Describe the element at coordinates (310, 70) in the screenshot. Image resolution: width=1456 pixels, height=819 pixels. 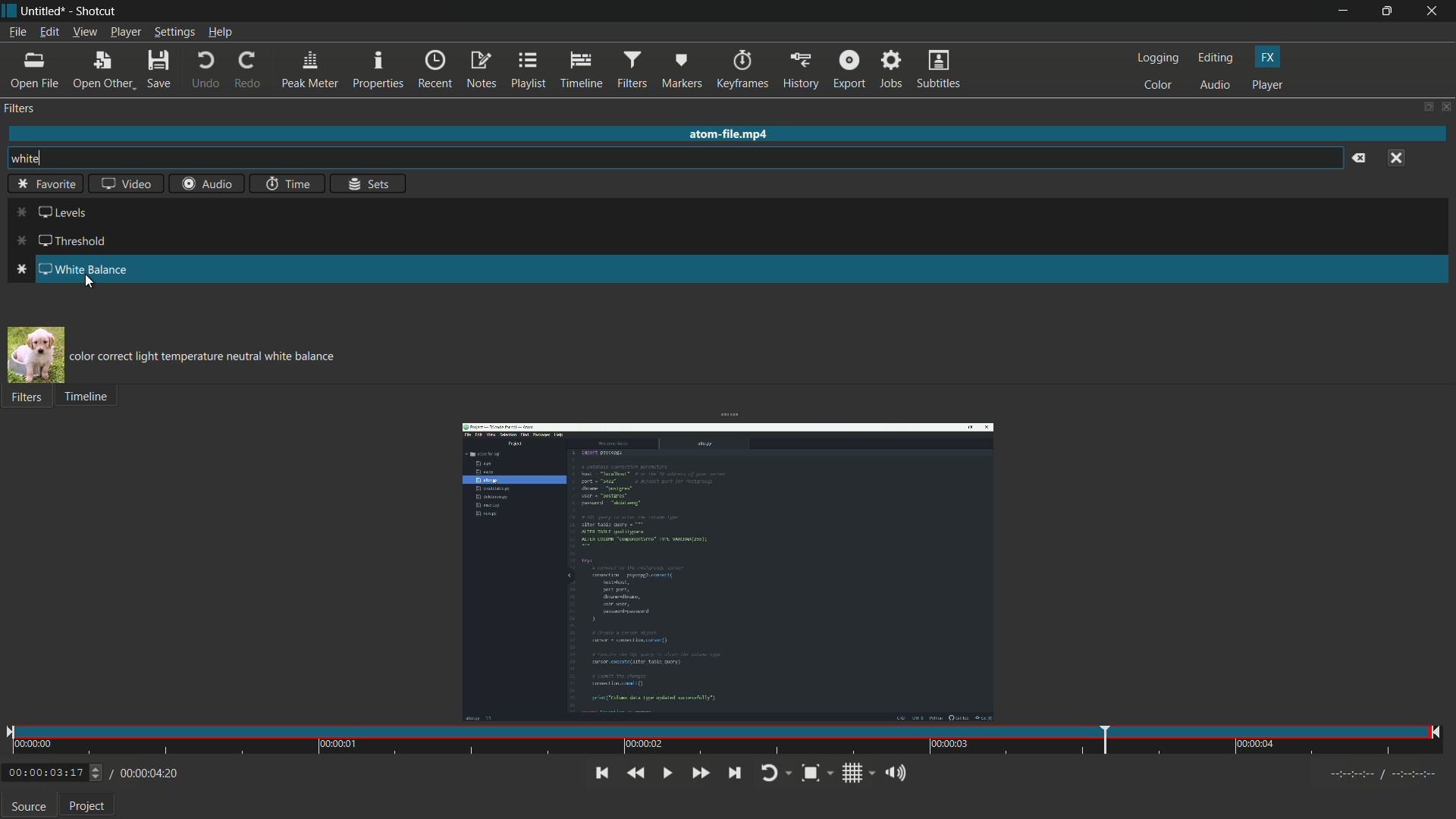
I see `peak meter` at that location.